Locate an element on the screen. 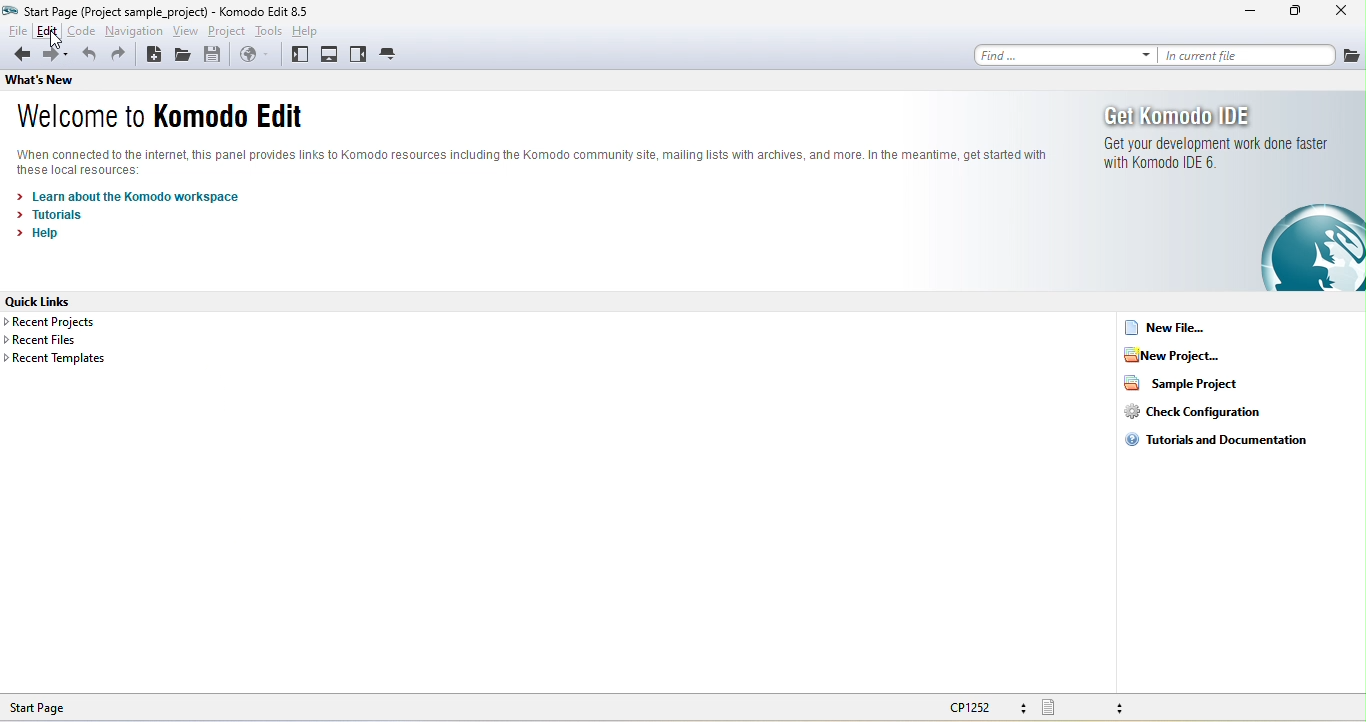  start page (project sample project)- komodo edit 8.5 is located at coordinates (160, 11).